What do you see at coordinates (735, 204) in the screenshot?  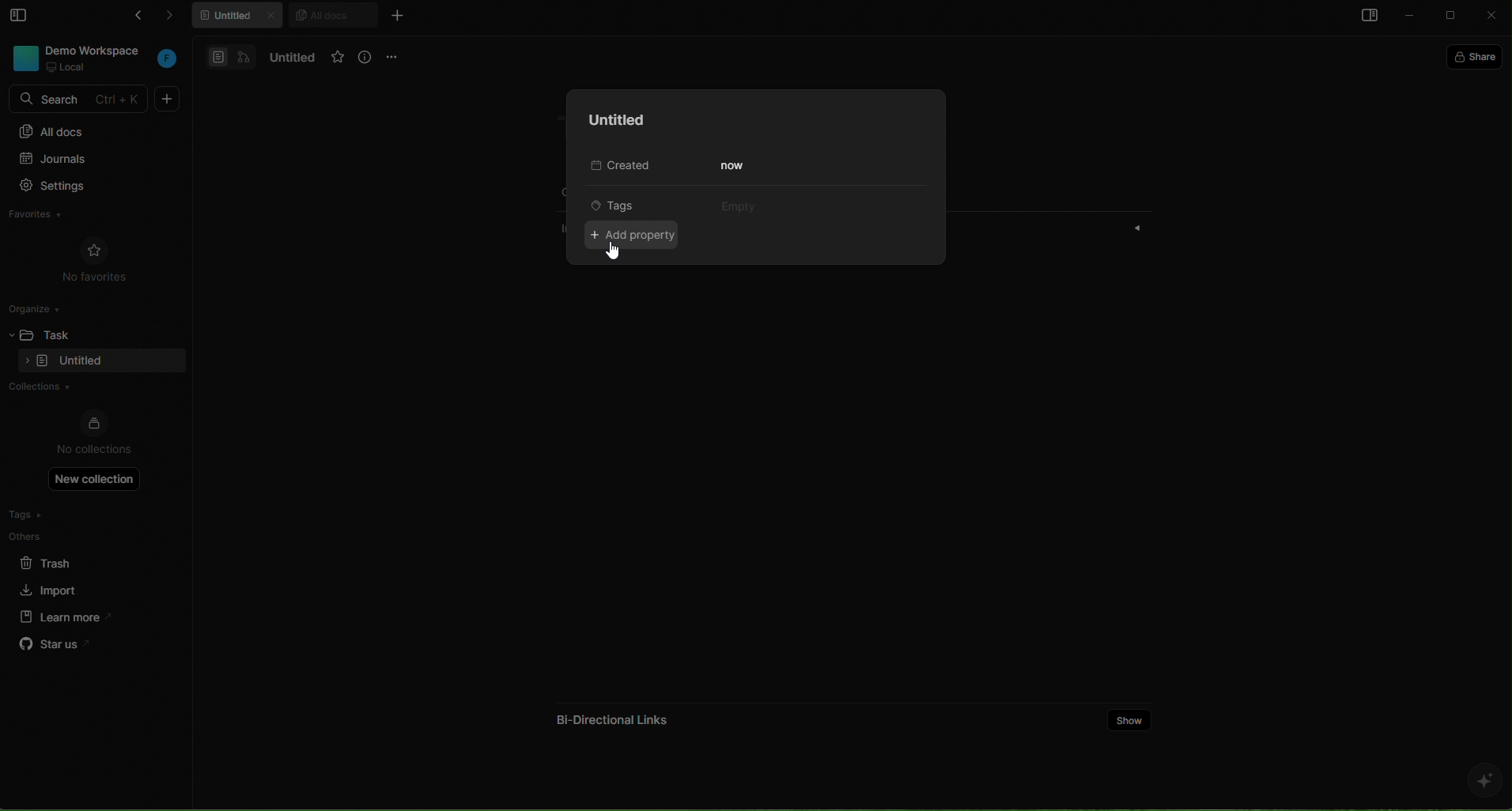 I see `empty` at bounding box center [735, 204].